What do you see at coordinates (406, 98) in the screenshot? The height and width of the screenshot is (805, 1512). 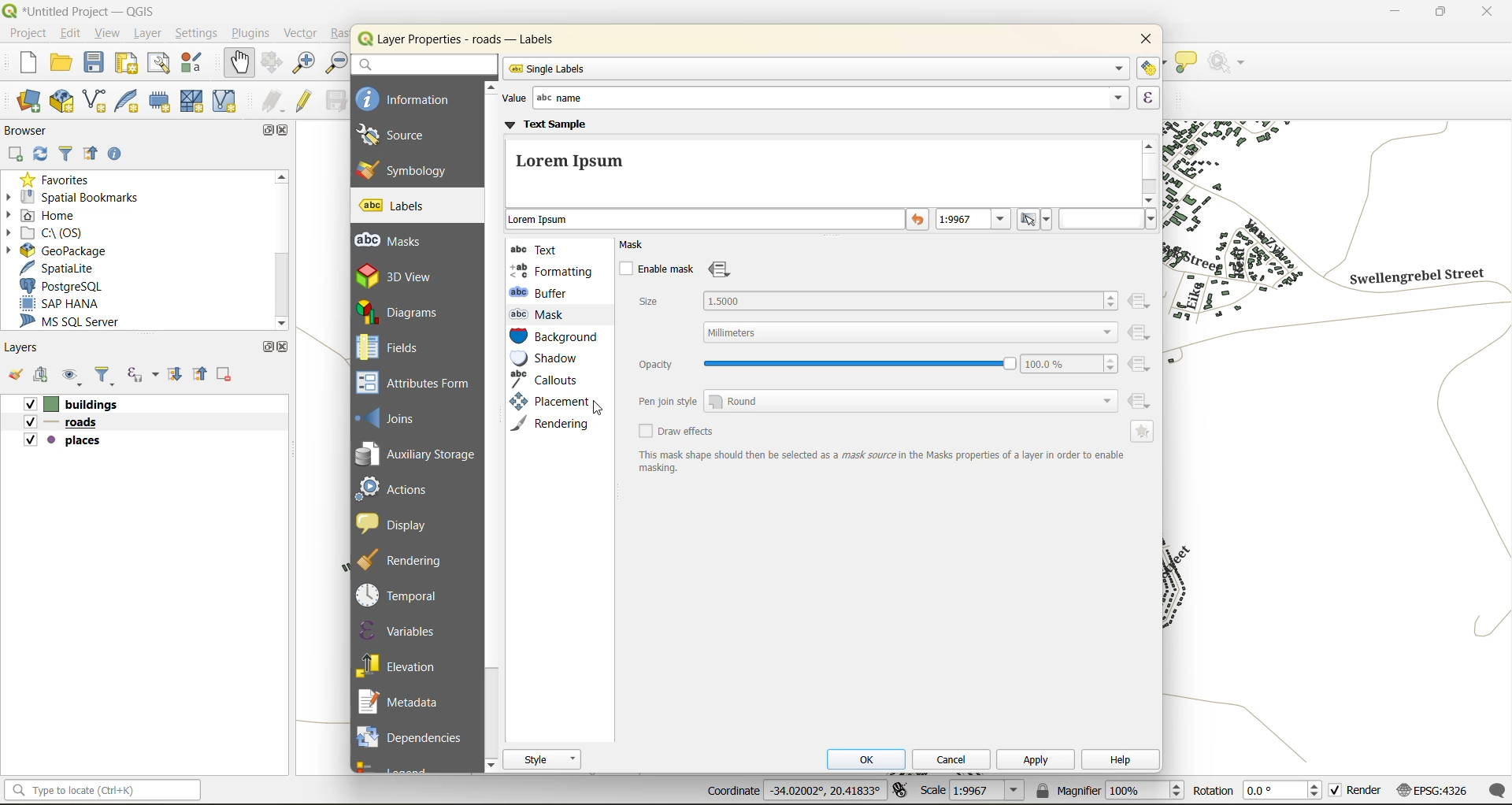 I see `information` at bounding box center [406, 98].